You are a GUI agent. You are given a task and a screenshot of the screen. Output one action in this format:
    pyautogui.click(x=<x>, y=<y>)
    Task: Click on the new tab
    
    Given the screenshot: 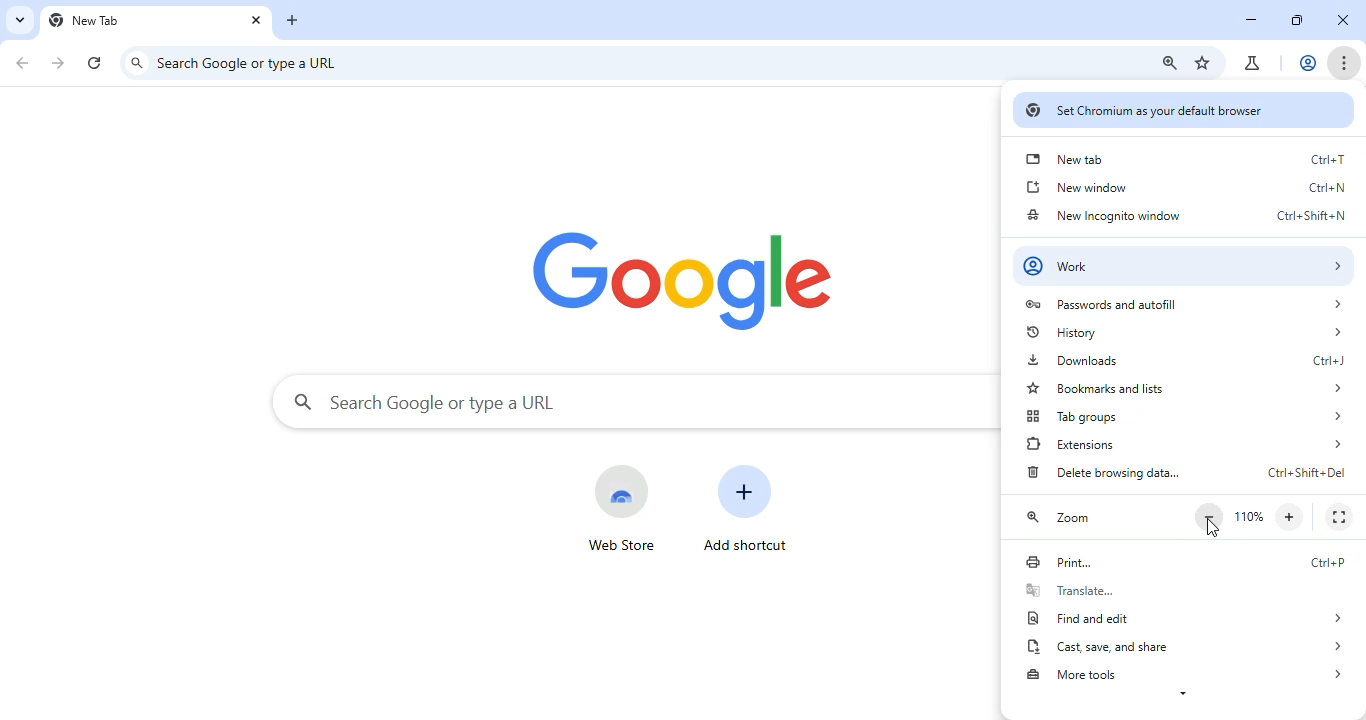 What is the action you would take?
    pyautogui.click(x=1186, y=159)
    